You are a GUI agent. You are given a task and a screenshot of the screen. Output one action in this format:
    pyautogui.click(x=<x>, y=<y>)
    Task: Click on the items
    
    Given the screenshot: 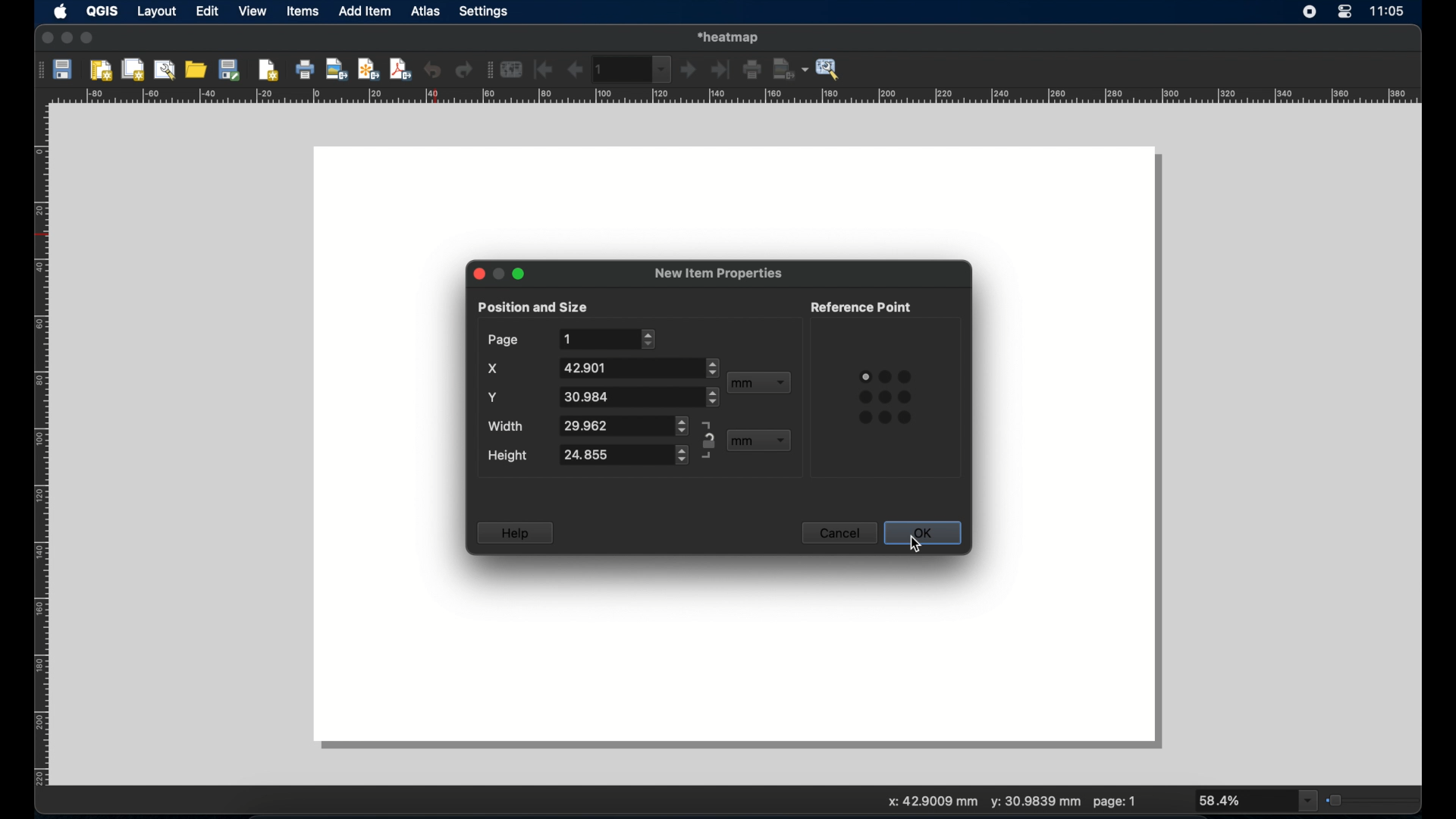 What is the action you would take?
    pyautogui.click(x=303, y=13)
    